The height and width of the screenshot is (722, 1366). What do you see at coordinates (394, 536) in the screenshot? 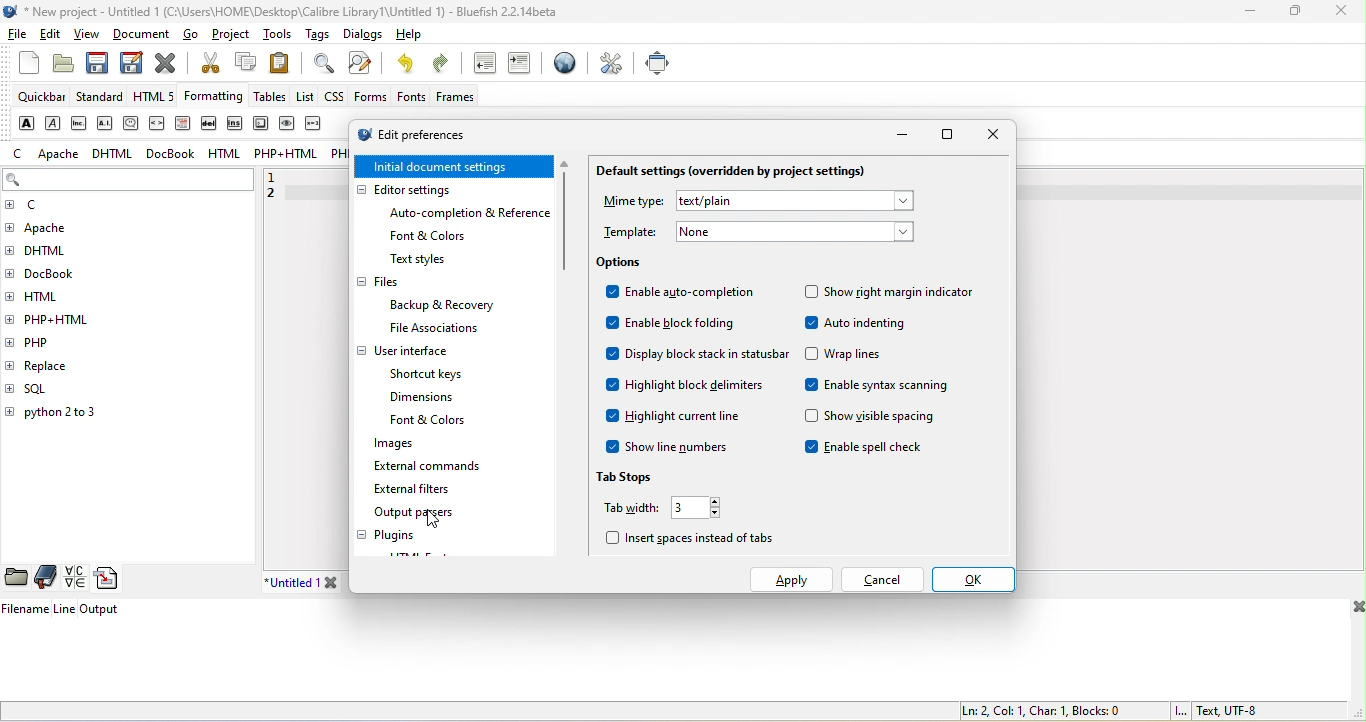
I see `plugins` at bounding box center [394, 536].